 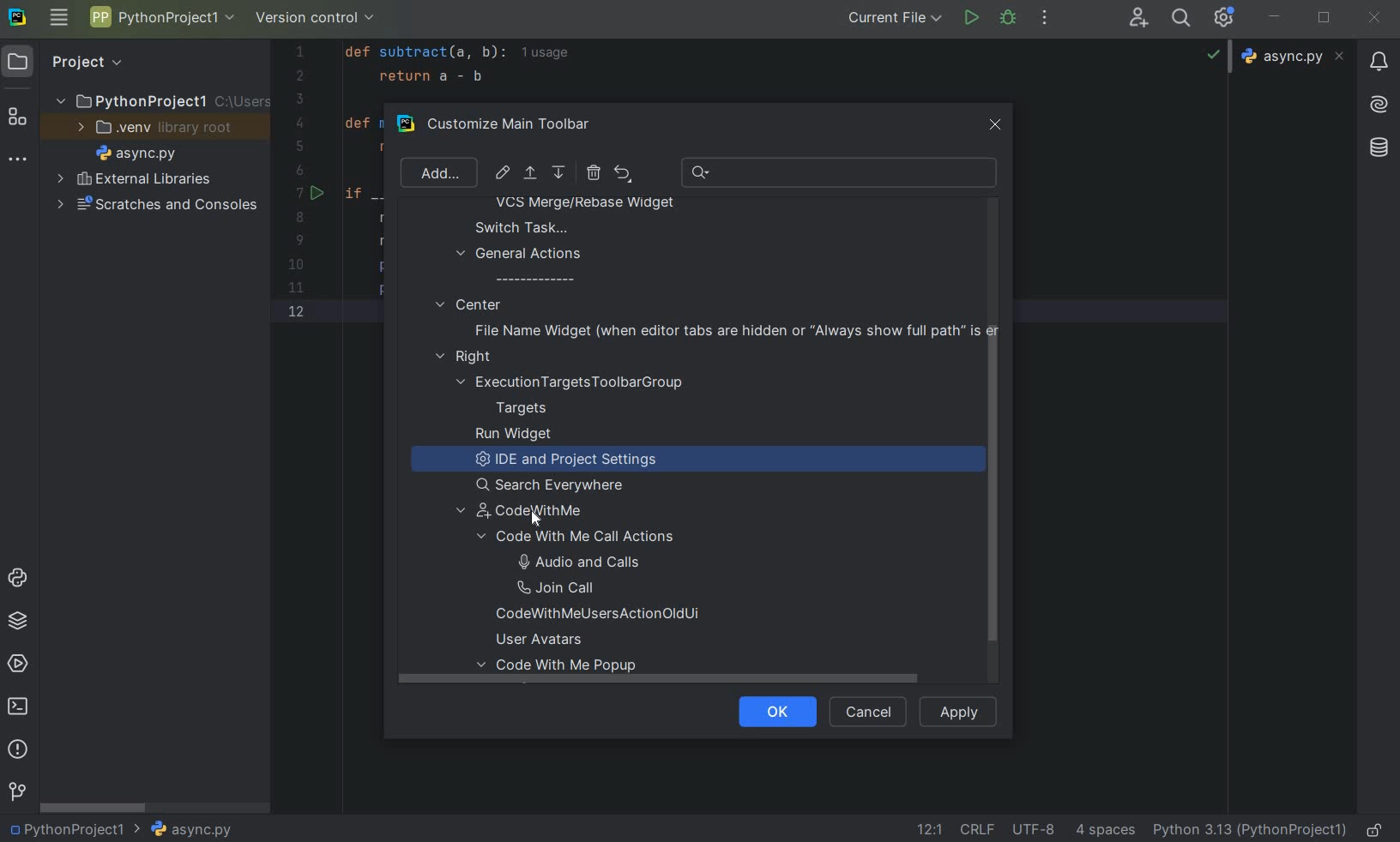 I want to click on switch task, so click(x=513, y=227).